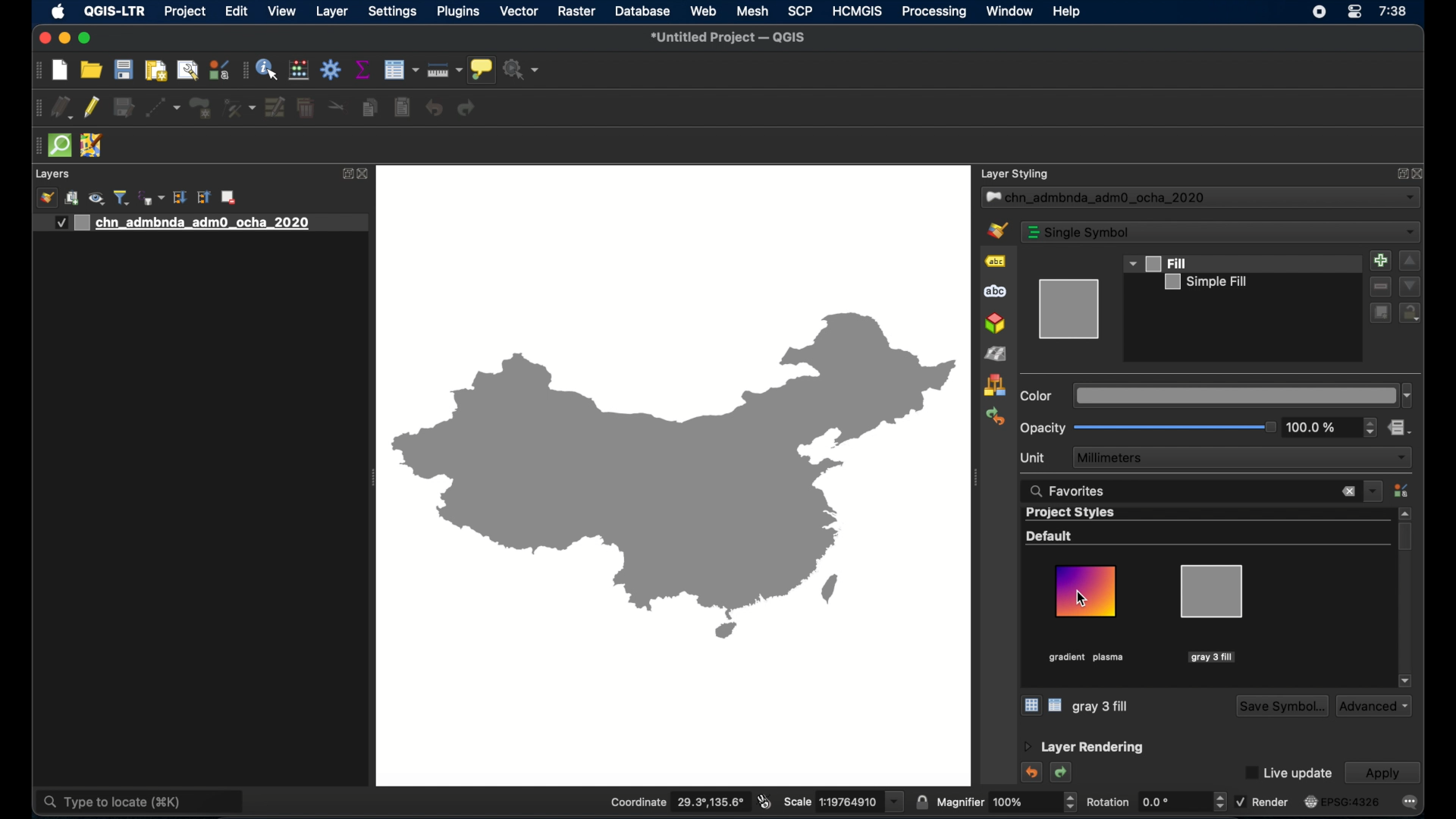 The width and height of the screenshot is (1456, 819). Describe the element at coordinates (1144, 802) in the screenshot. I see `rotation` at that location.